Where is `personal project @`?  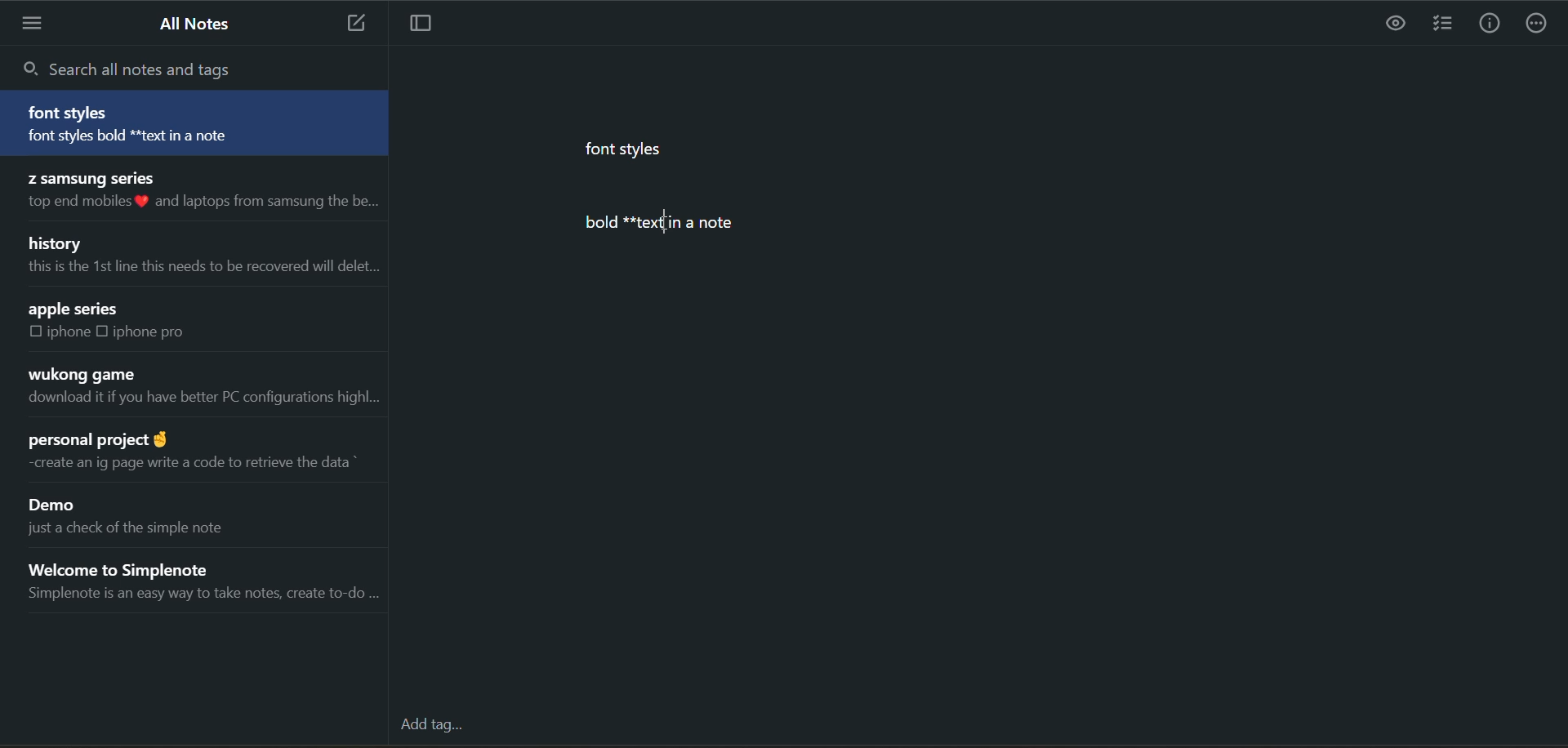 personal project @ is located at coordinates (96, 435).